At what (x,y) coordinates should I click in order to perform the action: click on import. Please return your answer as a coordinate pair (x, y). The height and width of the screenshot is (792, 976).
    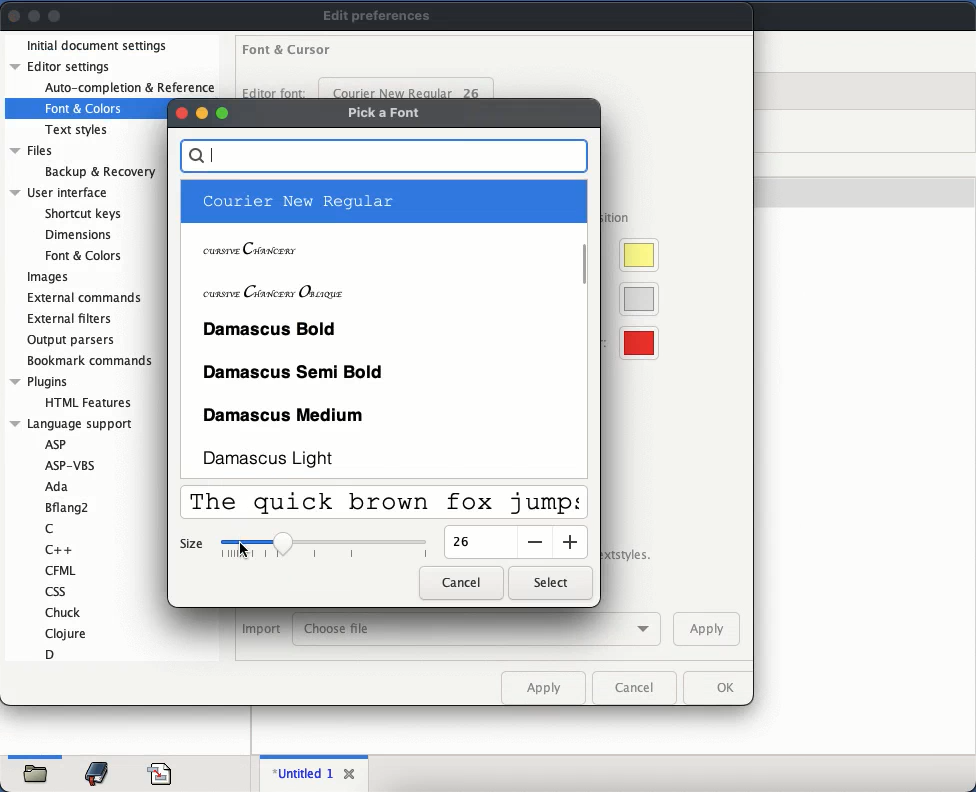
    Looking at the image, I should click on (261, 629).